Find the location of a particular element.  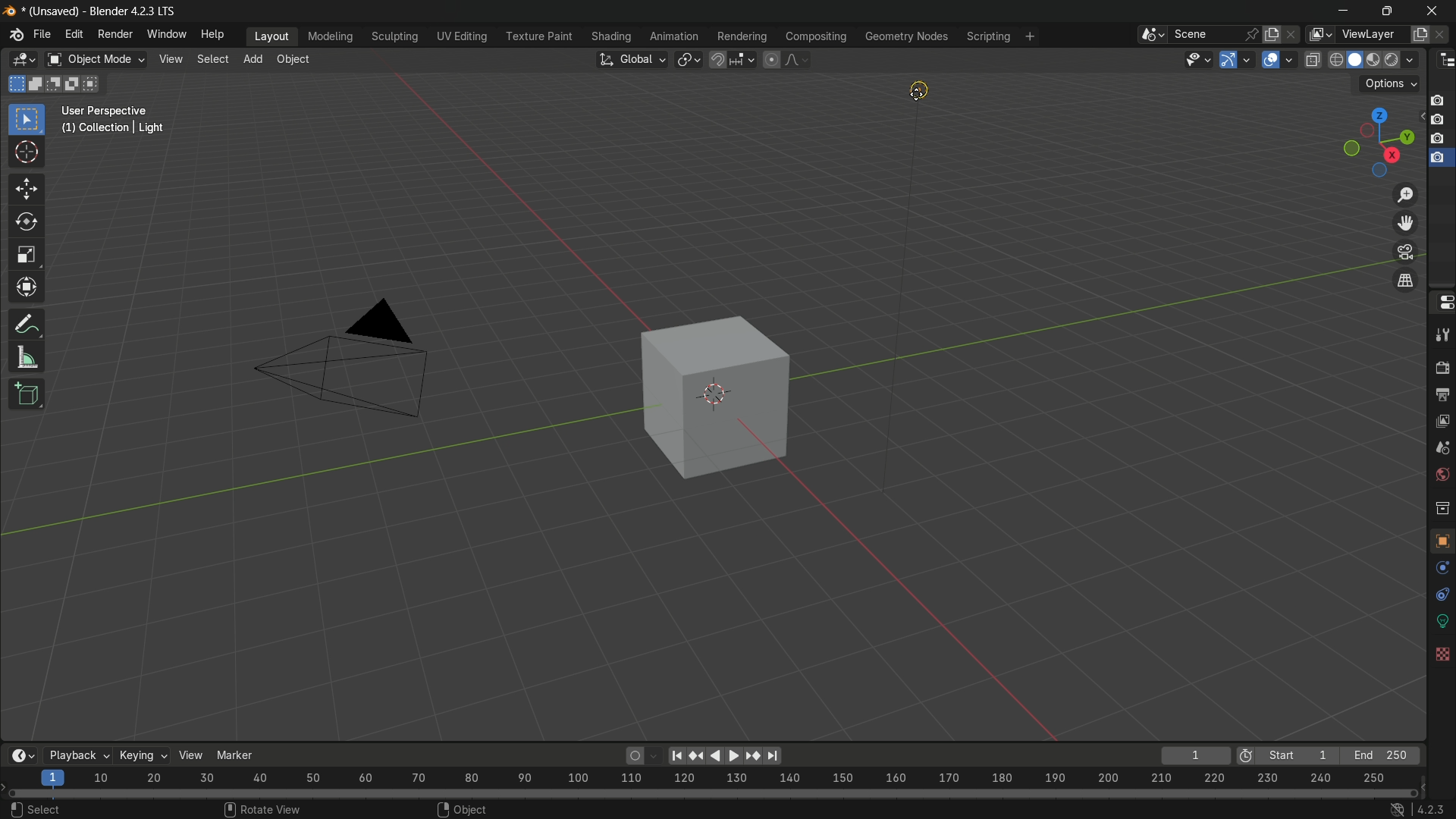

particles is located at coordinates (1441, 597).